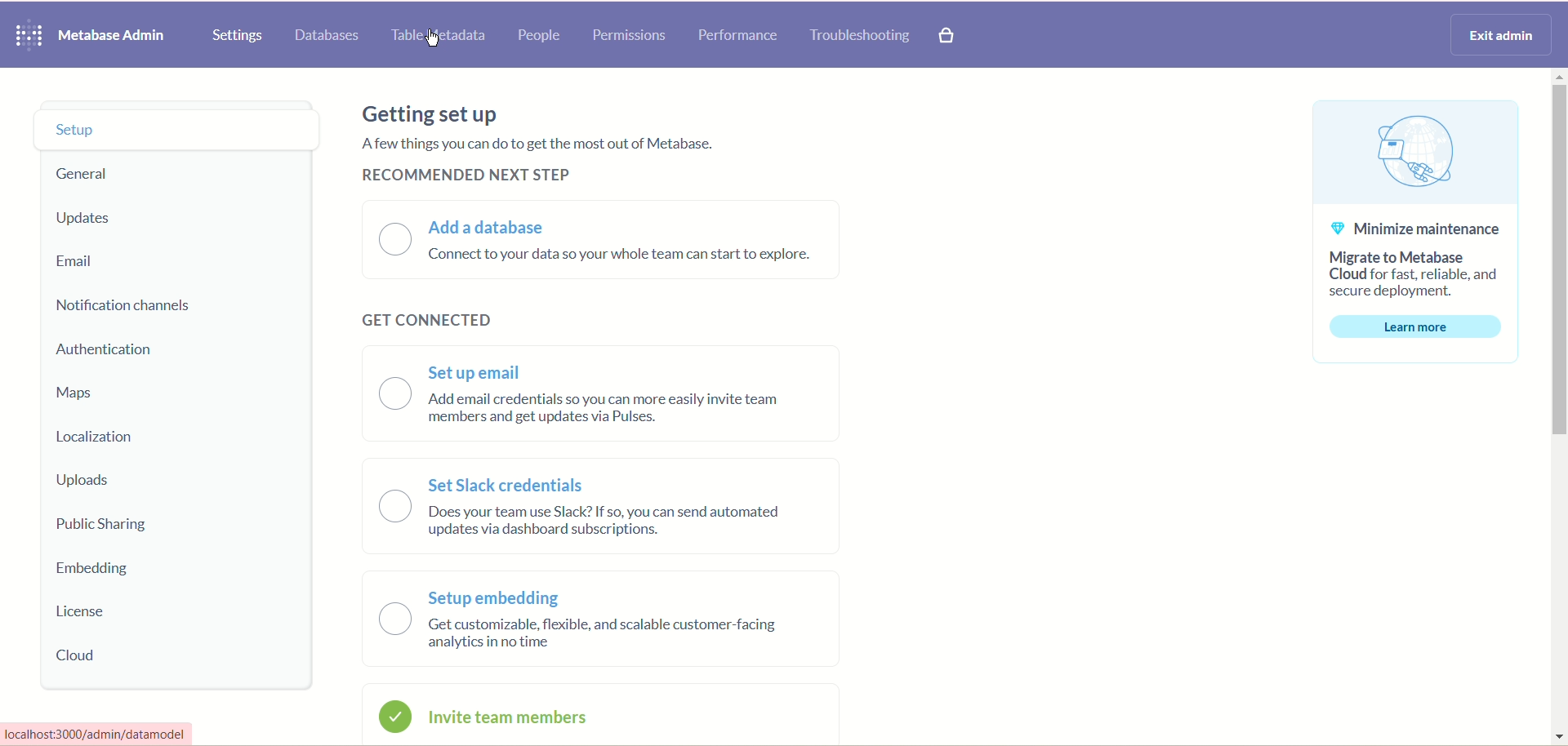  Describe the element at coordinates (77, 262) in the screenshot. I see `email` at that location.